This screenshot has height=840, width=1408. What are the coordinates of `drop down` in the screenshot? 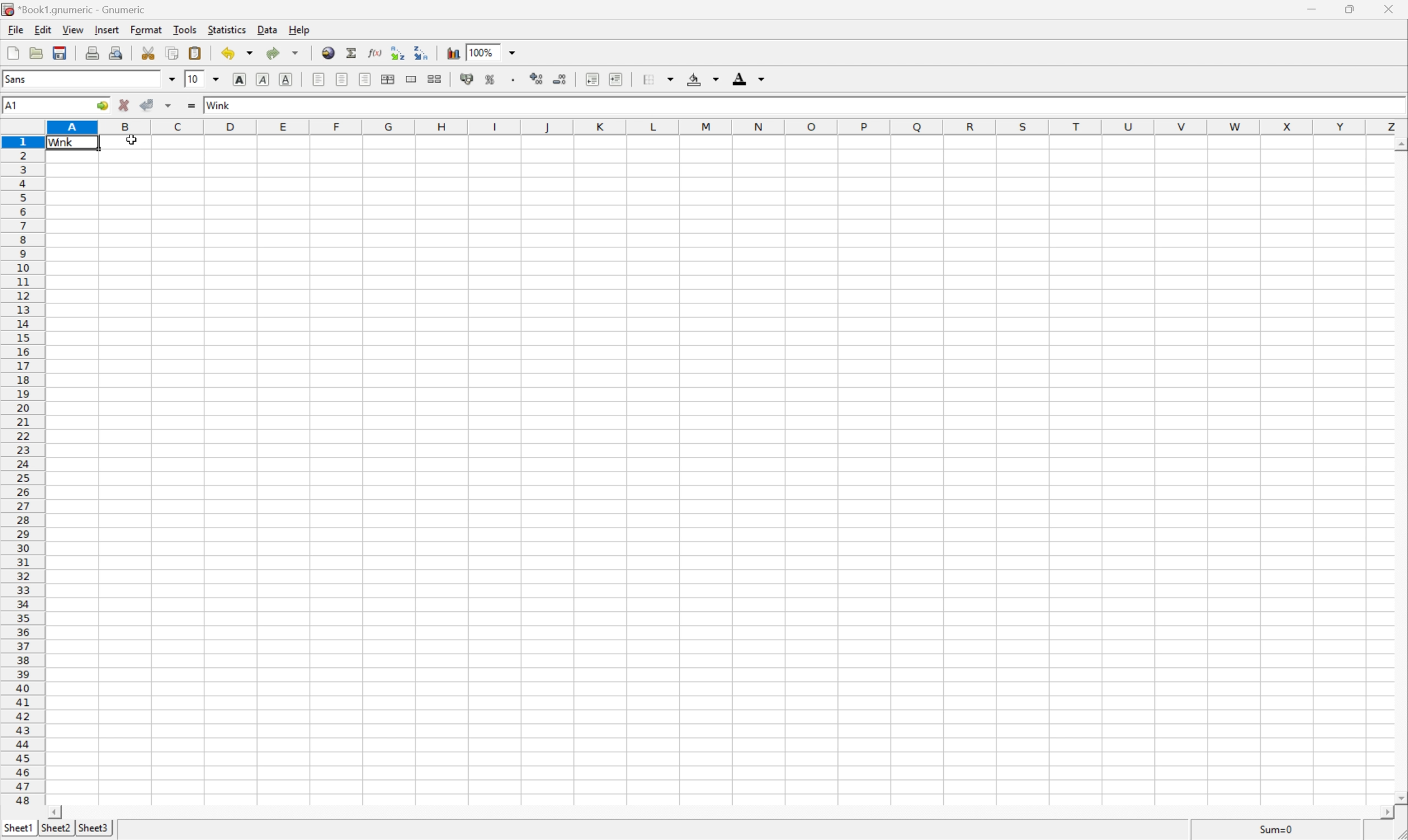 It's located at (514, 52).